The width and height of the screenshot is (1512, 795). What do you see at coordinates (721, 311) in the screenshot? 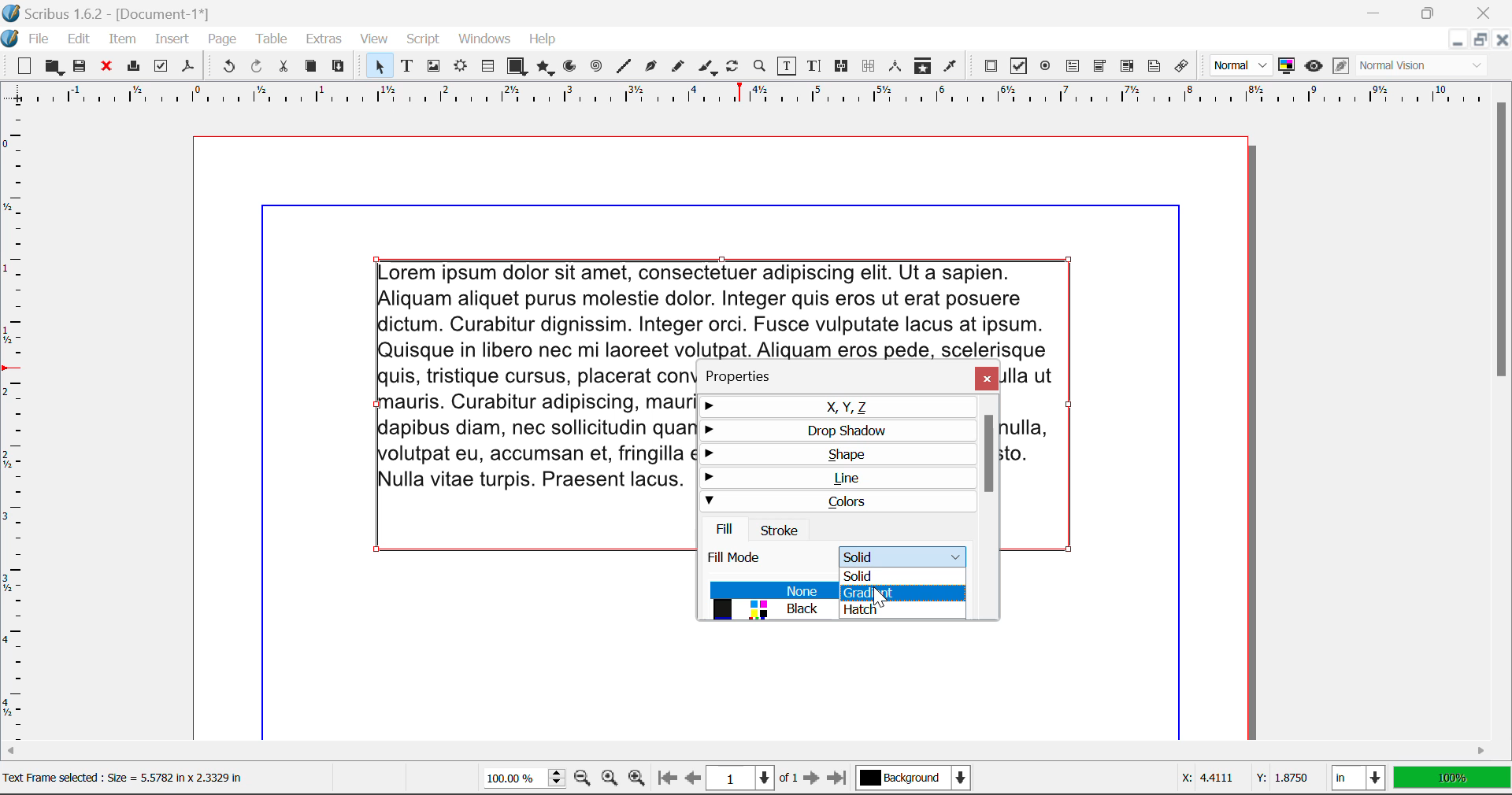
I see `text` at bounding box center [721, 311].